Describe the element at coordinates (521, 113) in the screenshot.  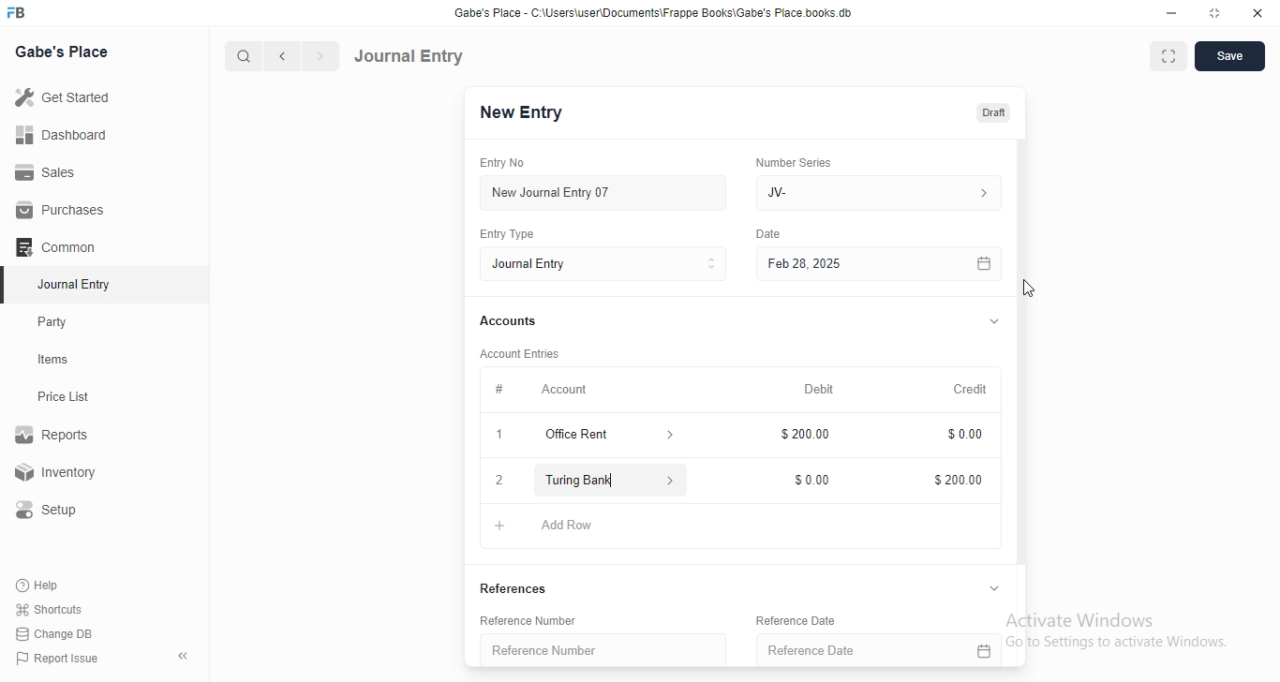
I see `New Entry` at that location.